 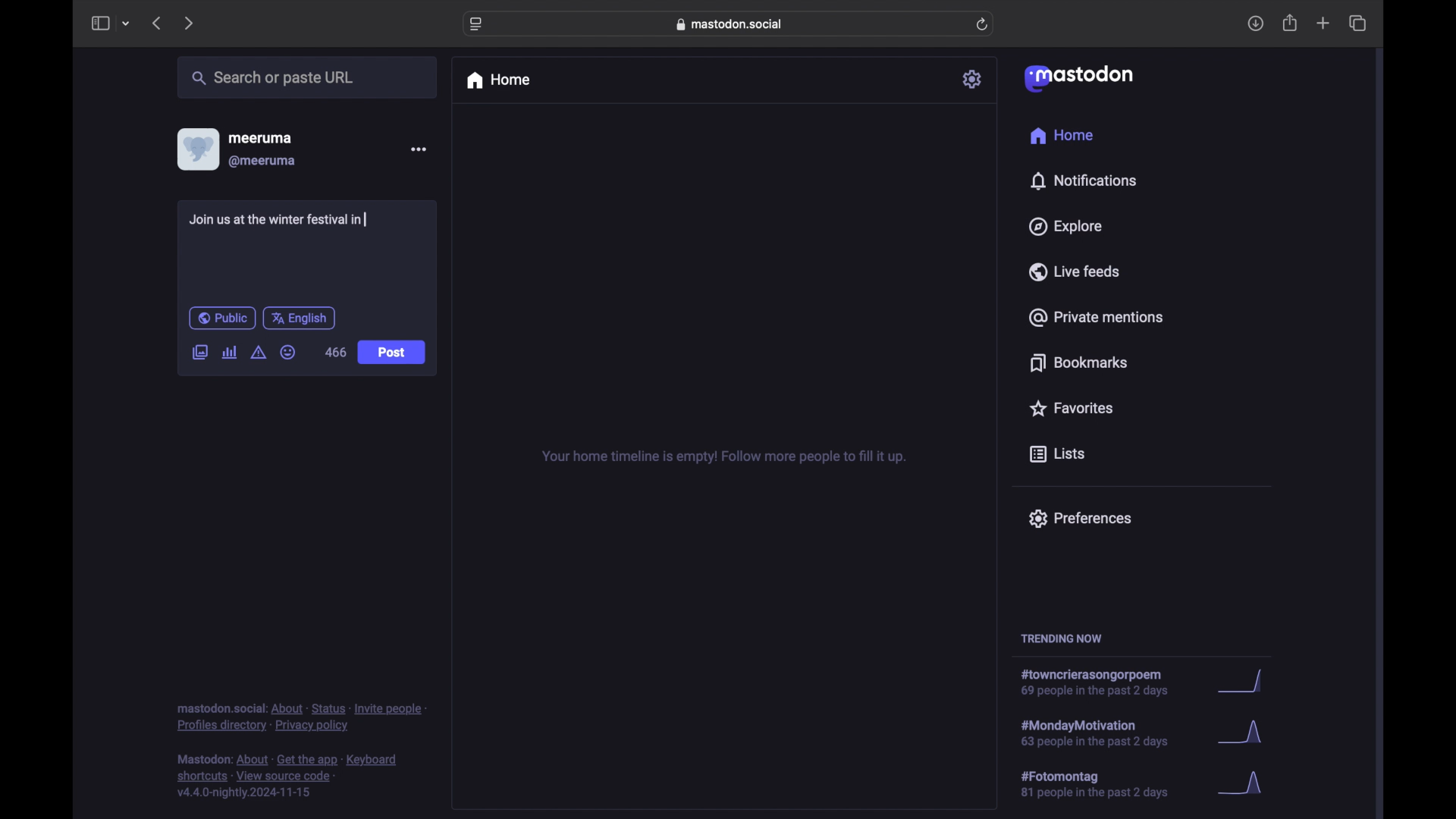 What do you see at coordinates (336, 352) in the screenshot?
I see `466` at bounding box center [336, 352].